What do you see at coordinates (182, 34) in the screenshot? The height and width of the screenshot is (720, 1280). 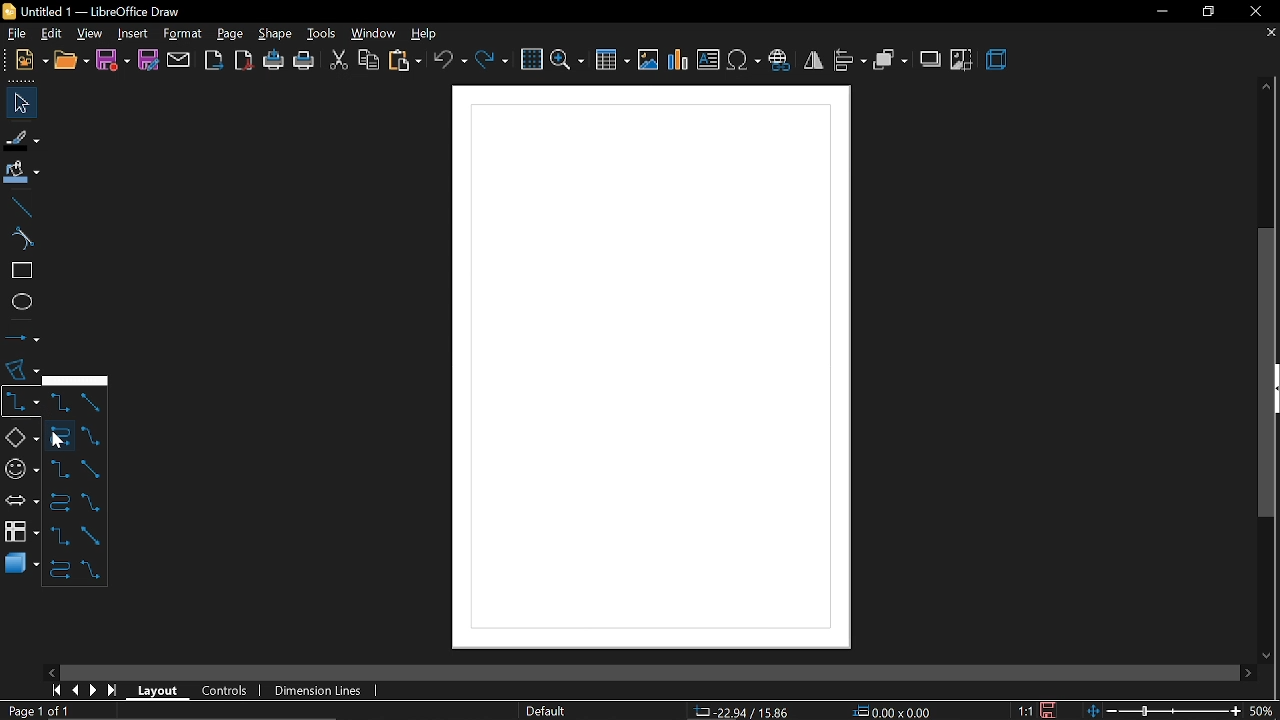 I see `format` at bounding box center [182, 34].